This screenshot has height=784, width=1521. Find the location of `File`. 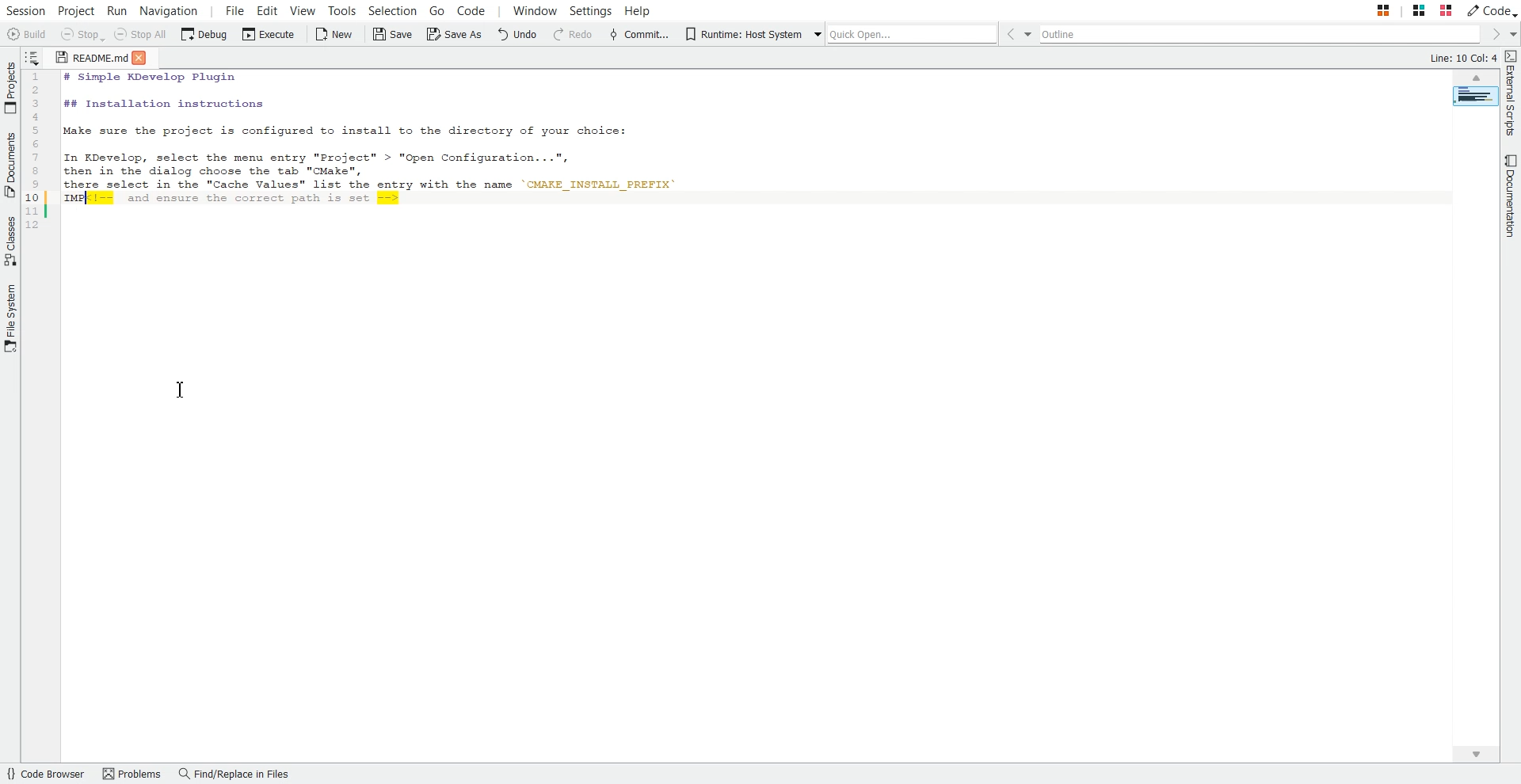

File is located at coordinates (235, 10).